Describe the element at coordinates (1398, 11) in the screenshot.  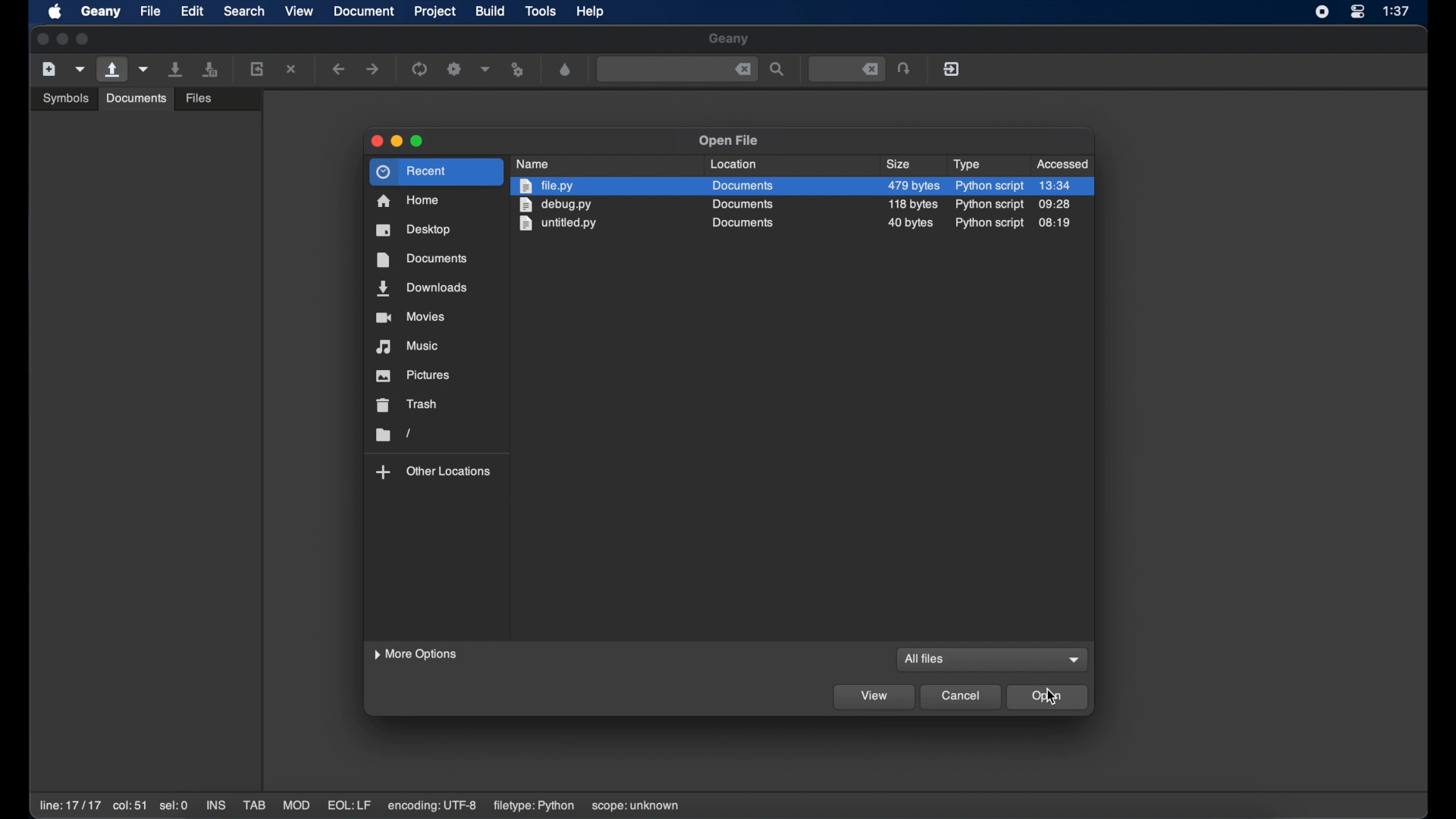
I see `time` at that location.